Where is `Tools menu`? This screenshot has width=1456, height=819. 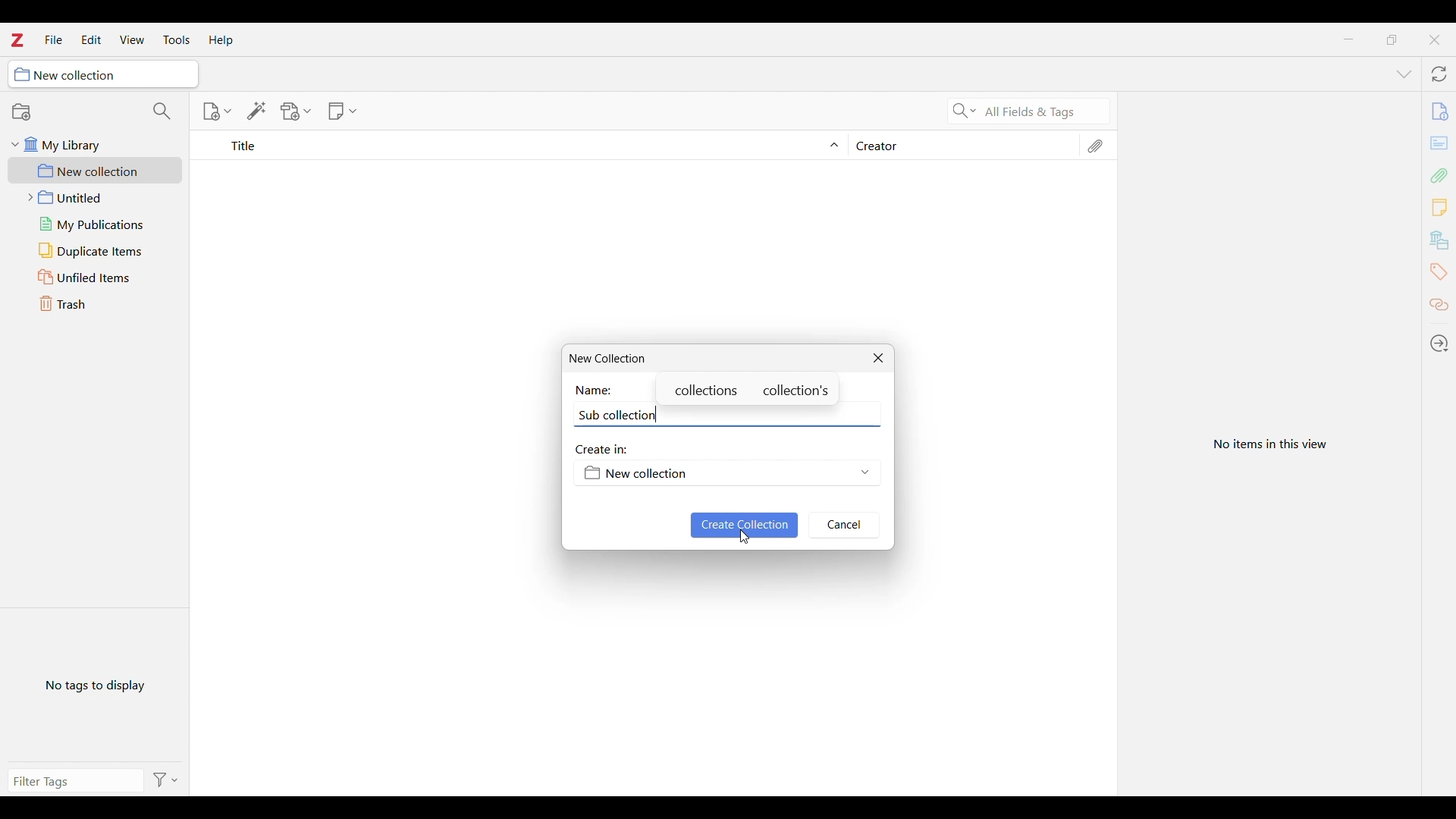 Tools menu is located at coordinates (177, 40).